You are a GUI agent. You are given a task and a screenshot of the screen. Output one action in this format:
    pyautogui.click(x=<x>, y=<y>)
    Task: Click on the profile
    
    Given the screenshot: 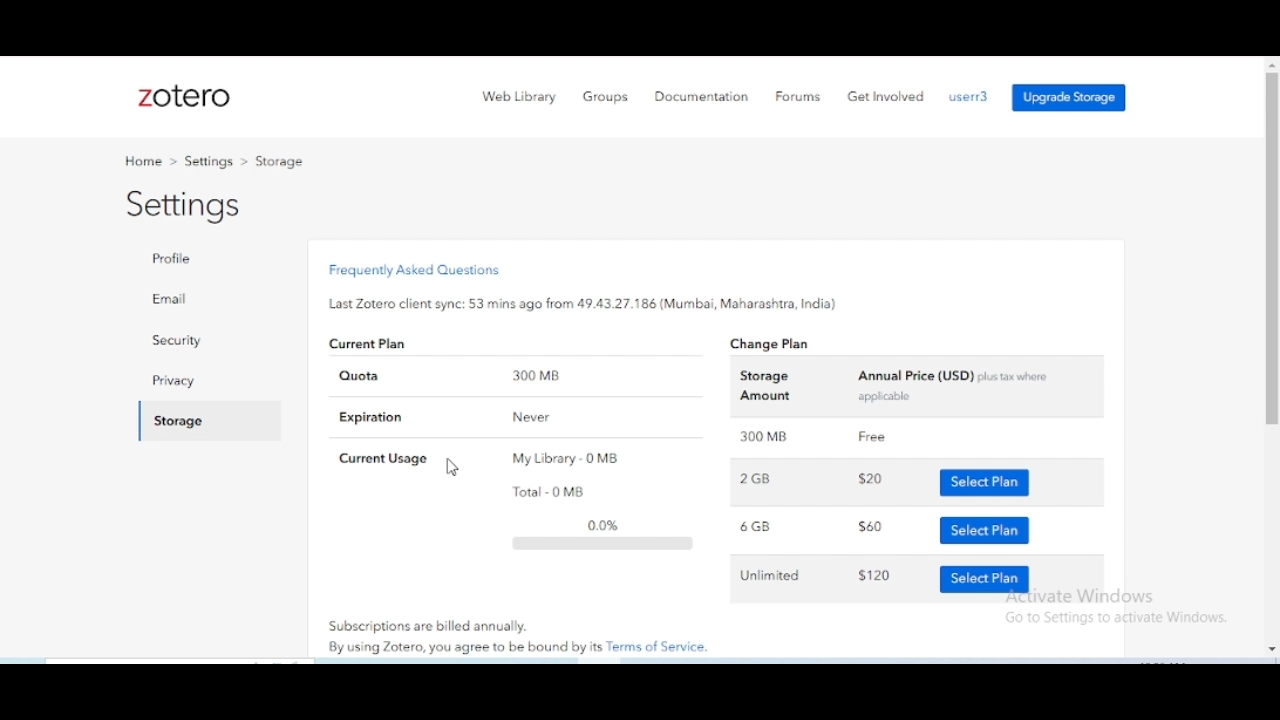 What is the action you would take?
    pyautogui.click(x=206, y=259)
    